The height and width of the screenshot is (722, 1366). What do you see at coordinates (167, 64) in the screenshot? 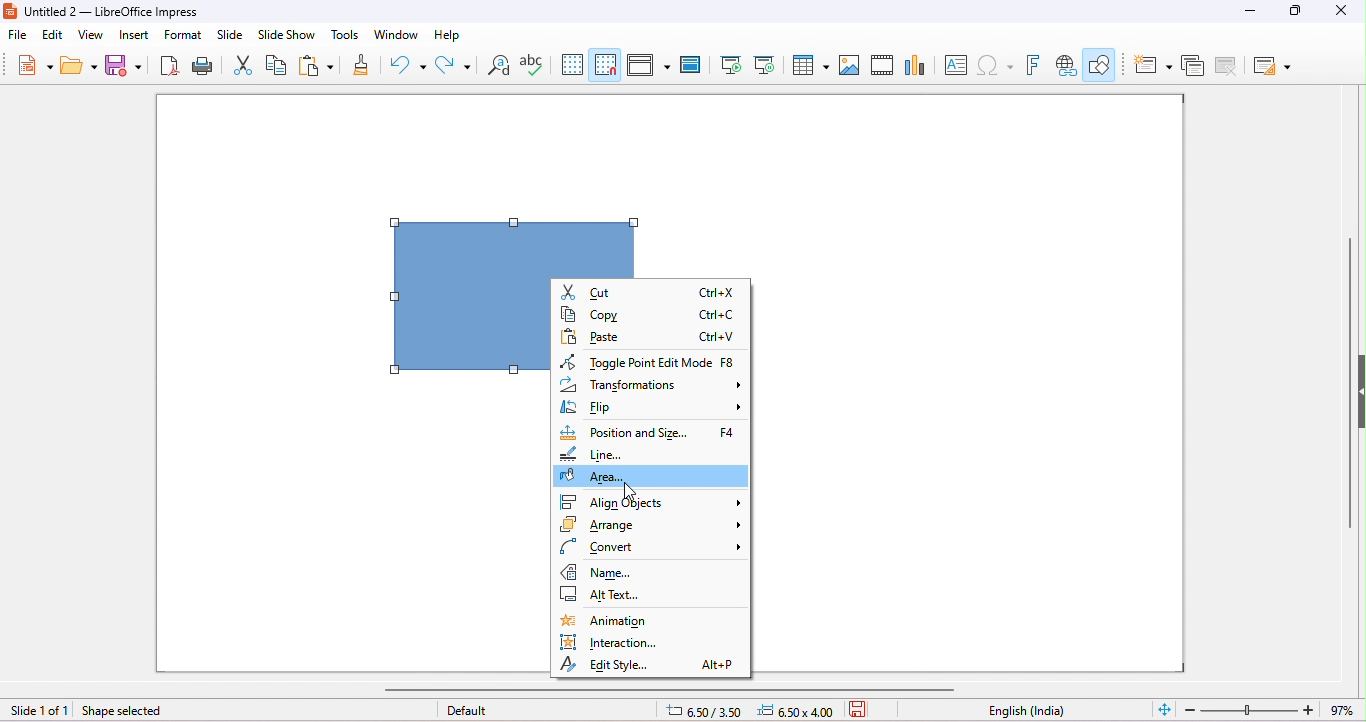
I see `export pdf` at bounding box center [167, 64].